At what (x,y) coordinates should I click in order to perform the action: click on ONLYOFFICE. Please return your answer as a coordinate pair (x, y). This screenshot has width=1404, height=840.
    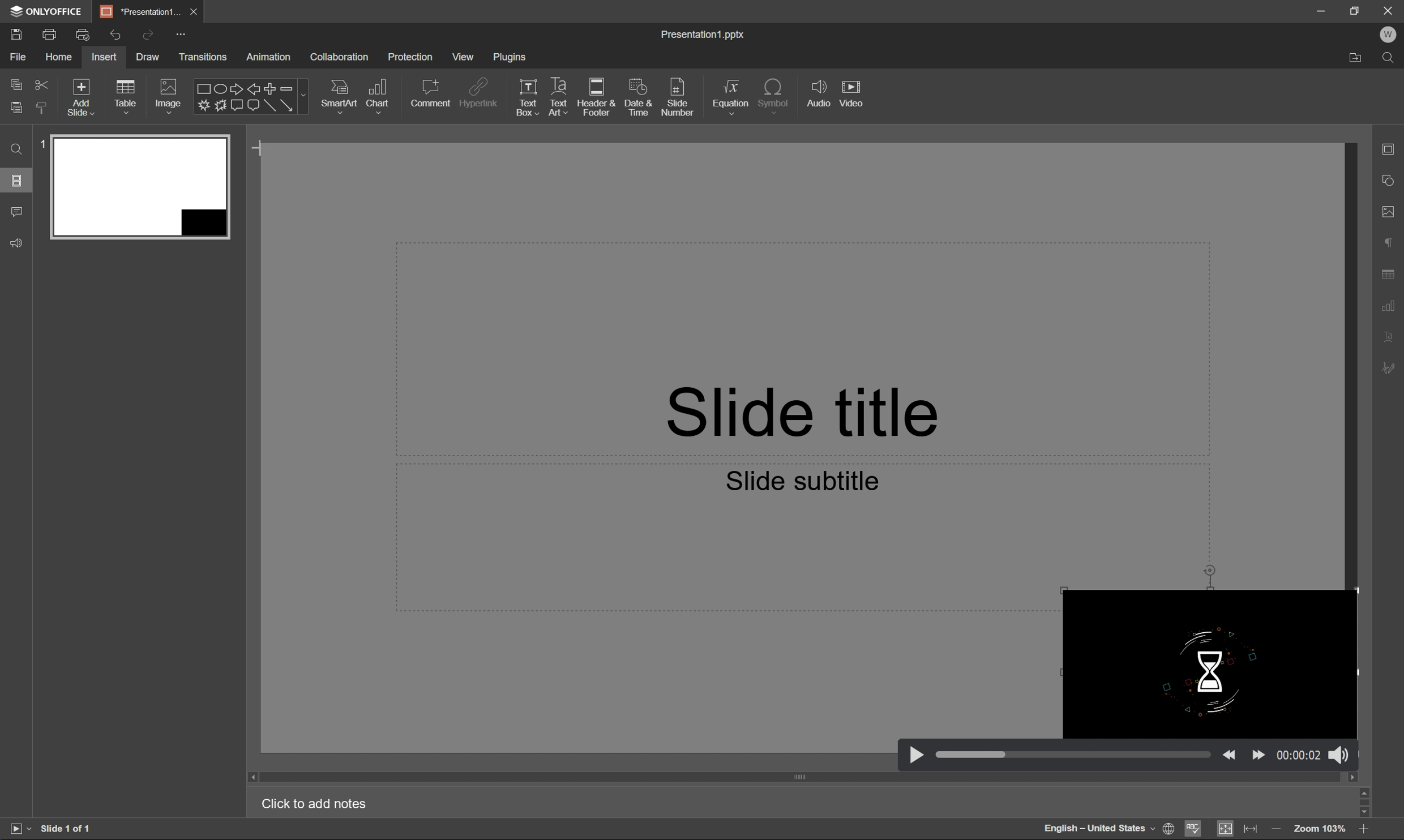
    Looking at the image, I should click on (48, 13).